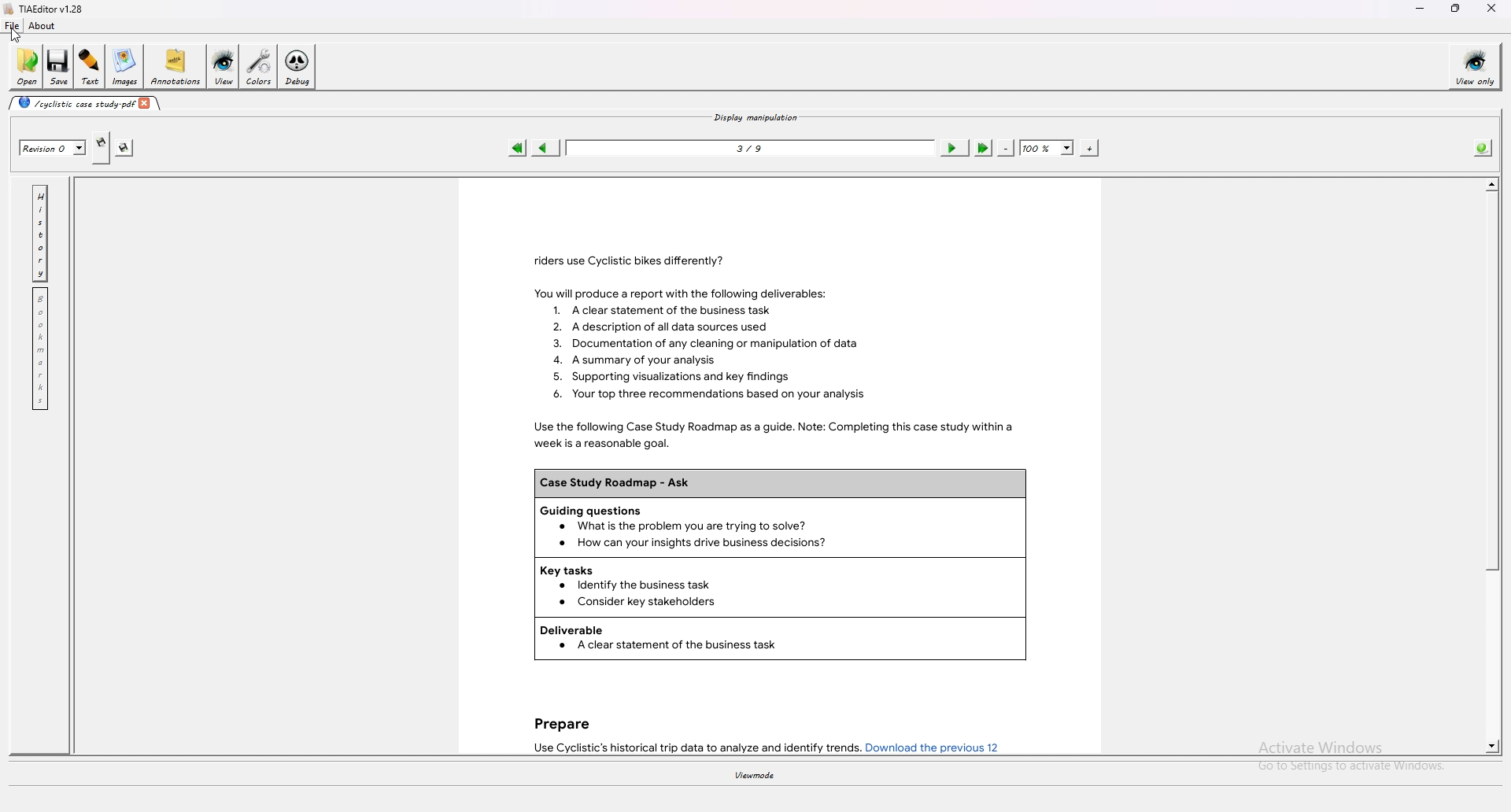 The width and height of the screenshot is (1511, 812). I want to click on last page, so click(983, 148).